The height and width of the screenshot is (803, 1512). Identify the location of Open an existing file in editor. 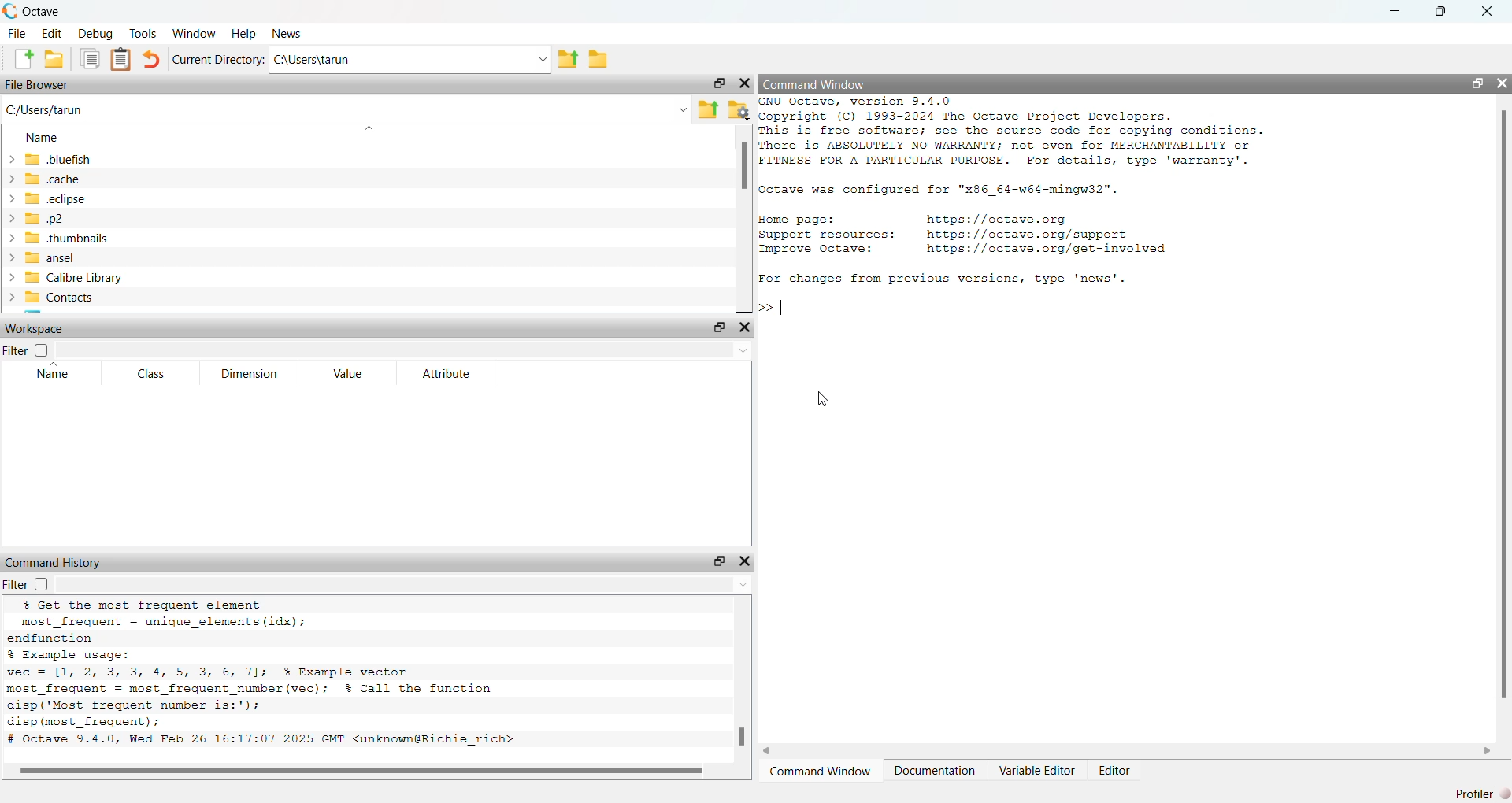
(54, 58).